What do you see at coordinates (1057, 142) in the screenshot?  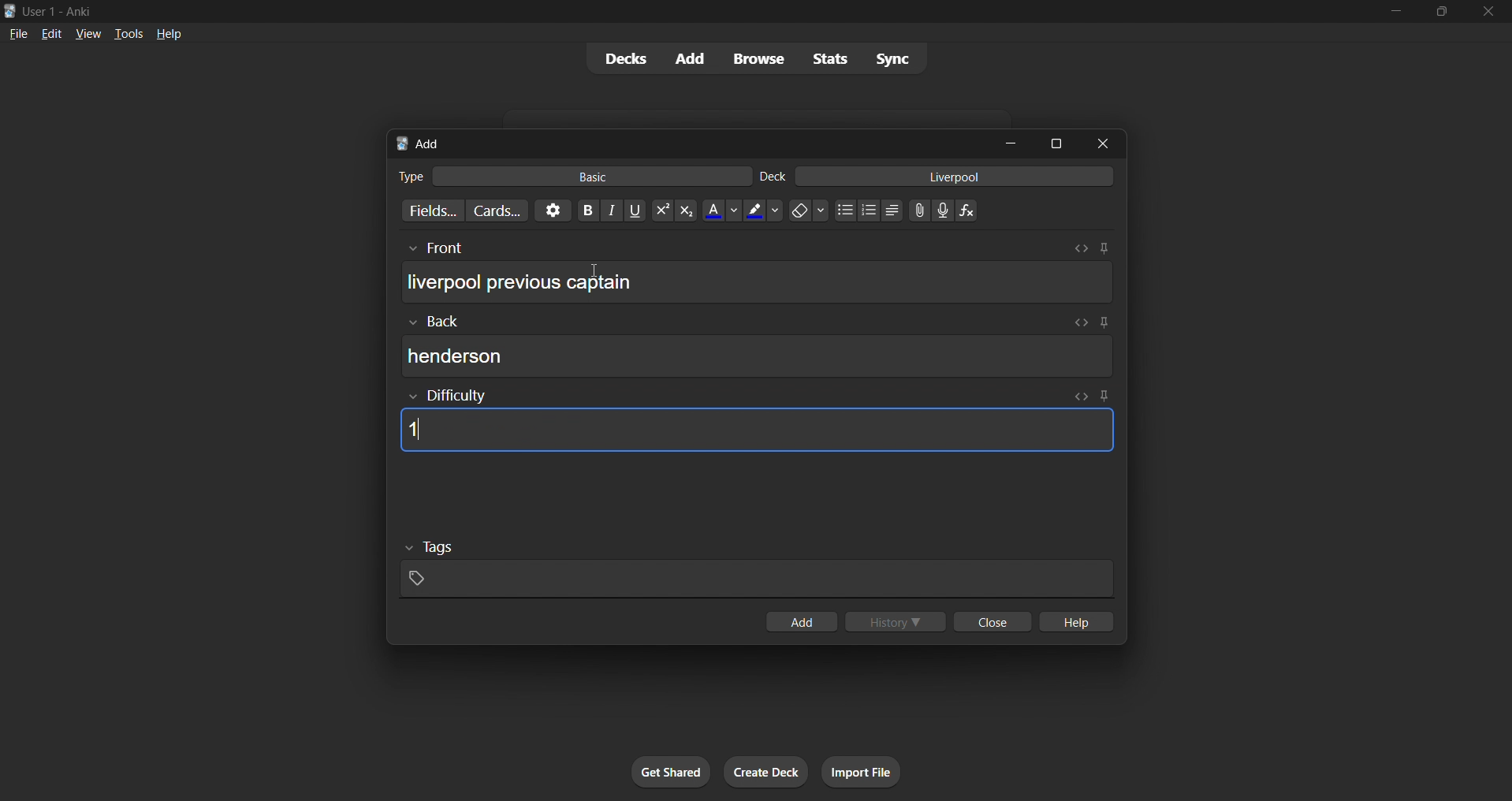 I see `maximize` at bounding box center [1057, 142].